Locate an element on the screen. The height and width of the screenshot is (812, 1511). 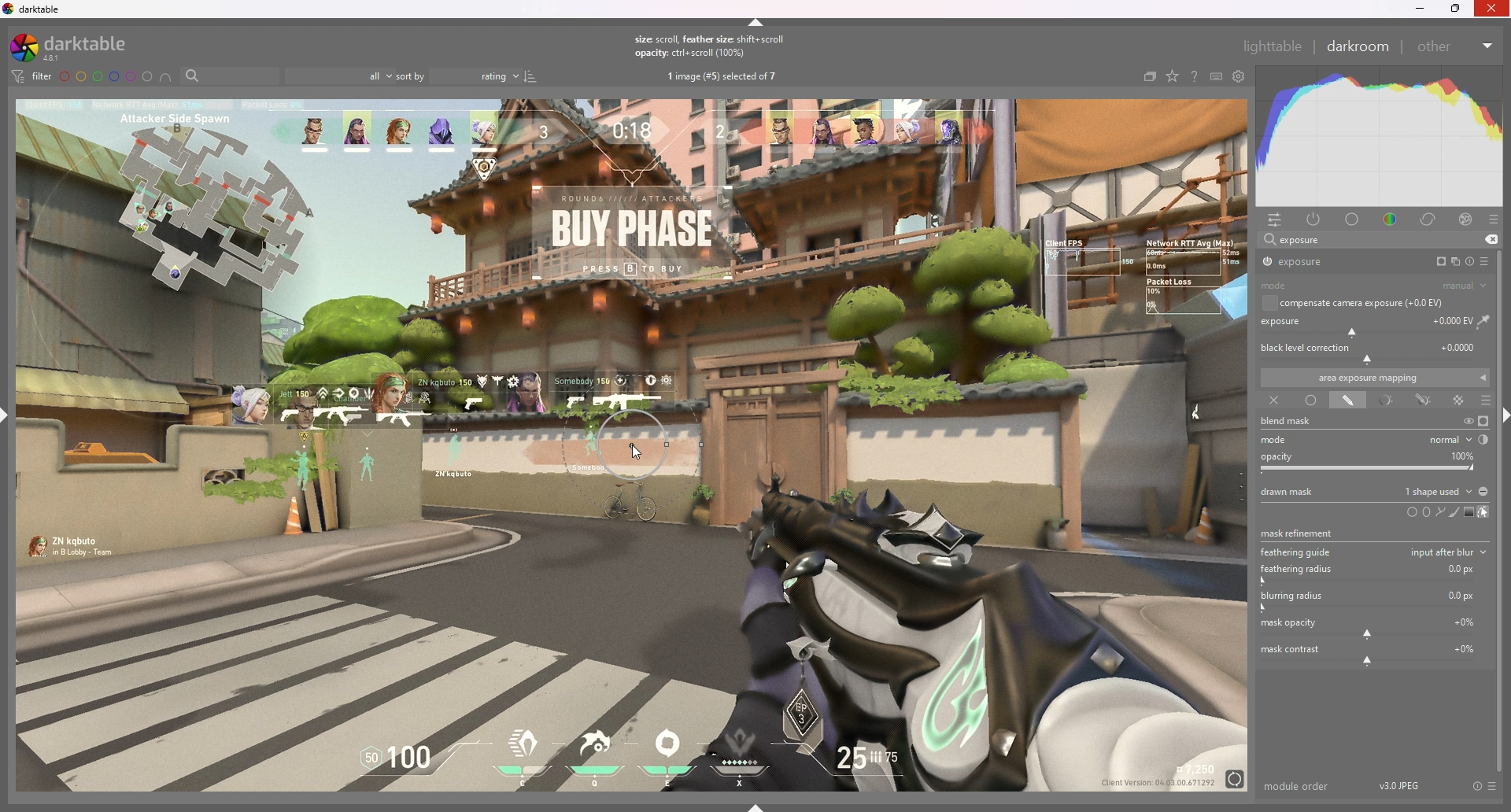
base is located at coordinates (1353, 220).